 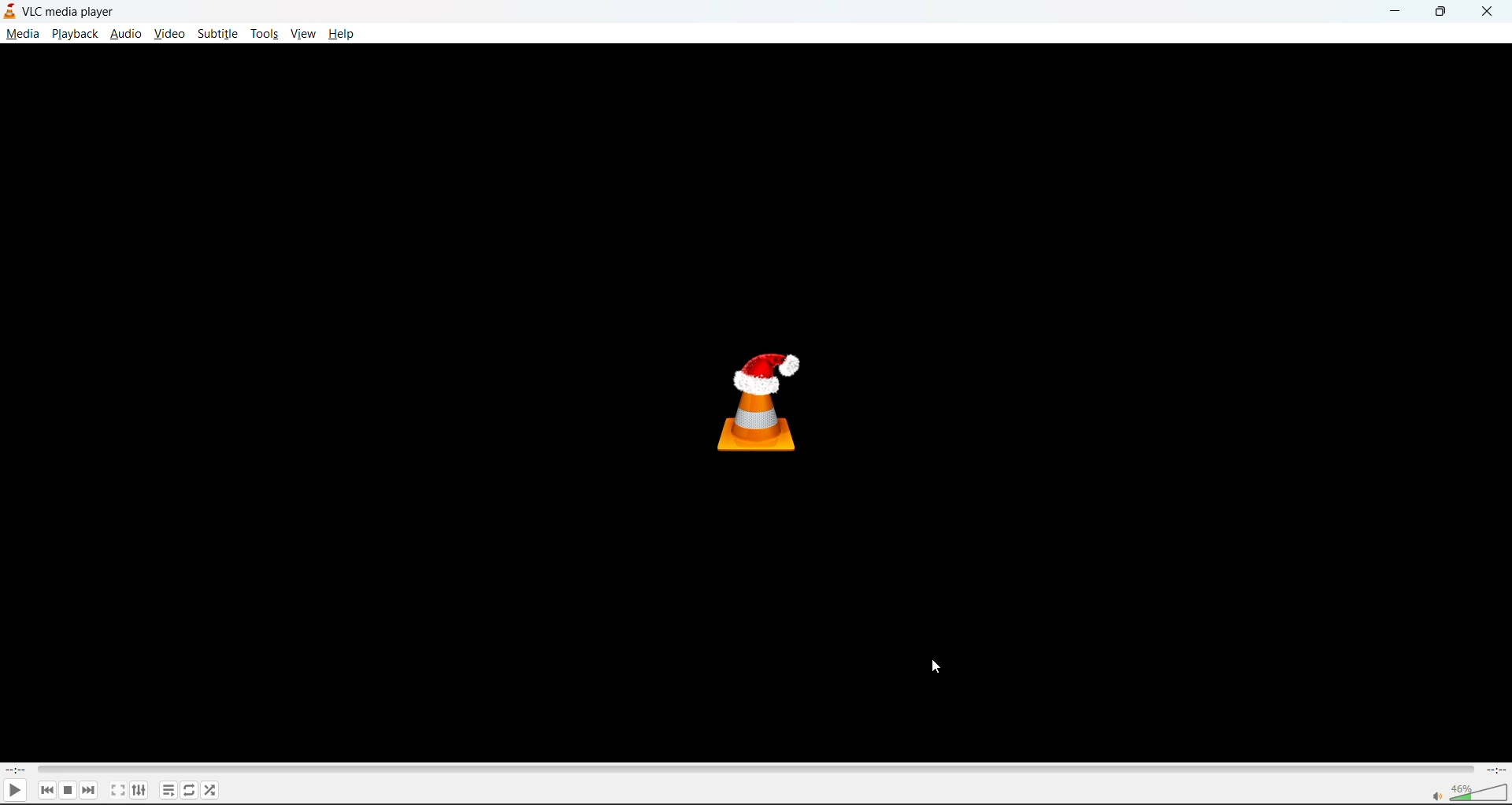 I want to click on settings, so click(x=137, y=789).